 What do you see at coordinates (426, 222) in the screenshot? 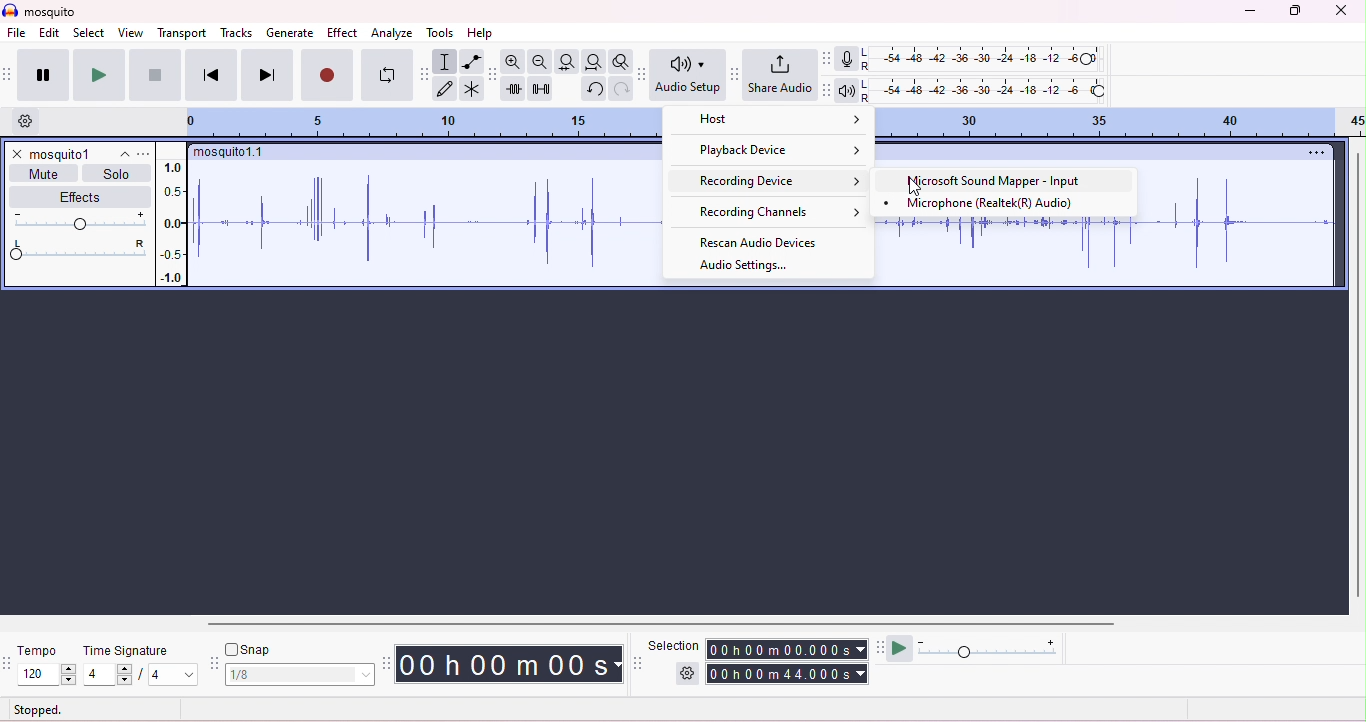
I see `waveform` at bounding box center [426, 222].